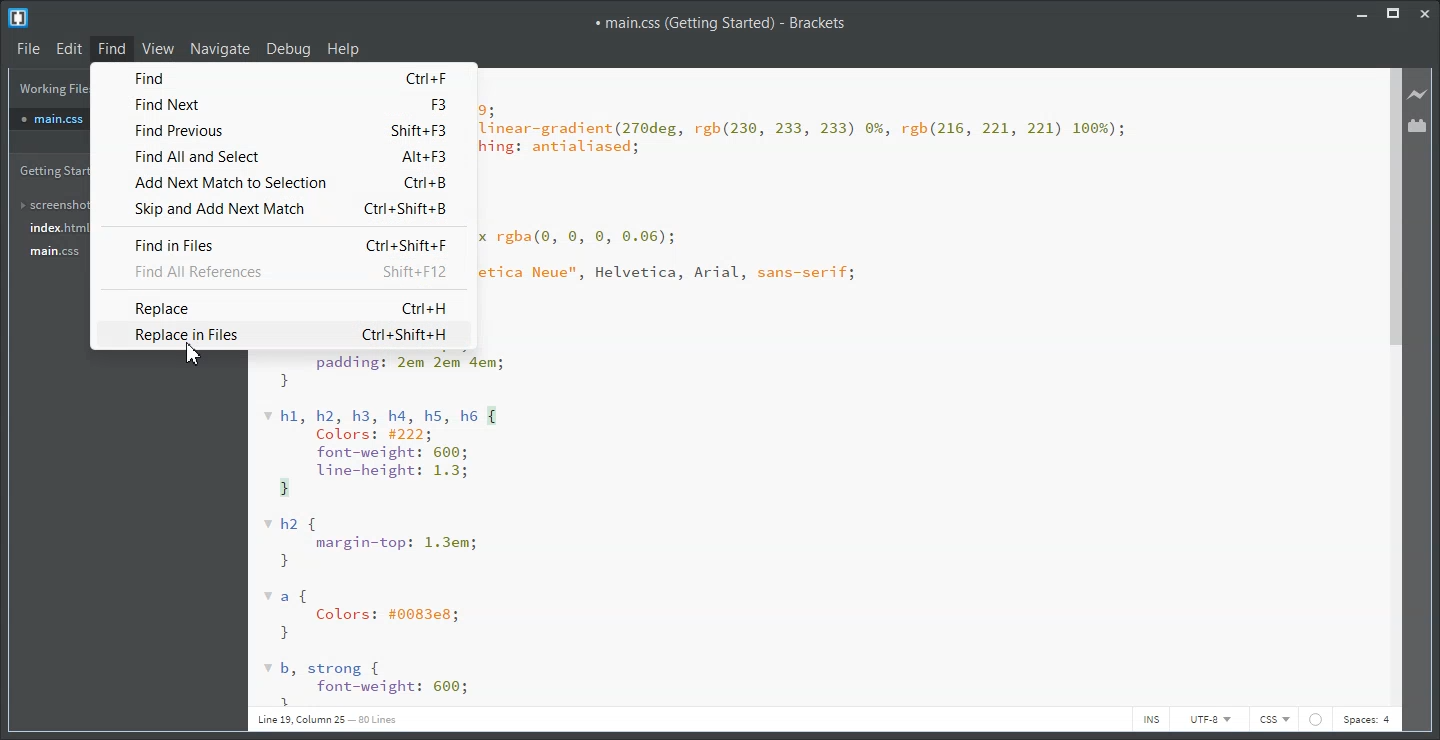  What do you see at coordinates (294, 180) in the screenshot?
I see `‘Add Next Match to Selection Ctrl+B` at bounding box center [294, 180].